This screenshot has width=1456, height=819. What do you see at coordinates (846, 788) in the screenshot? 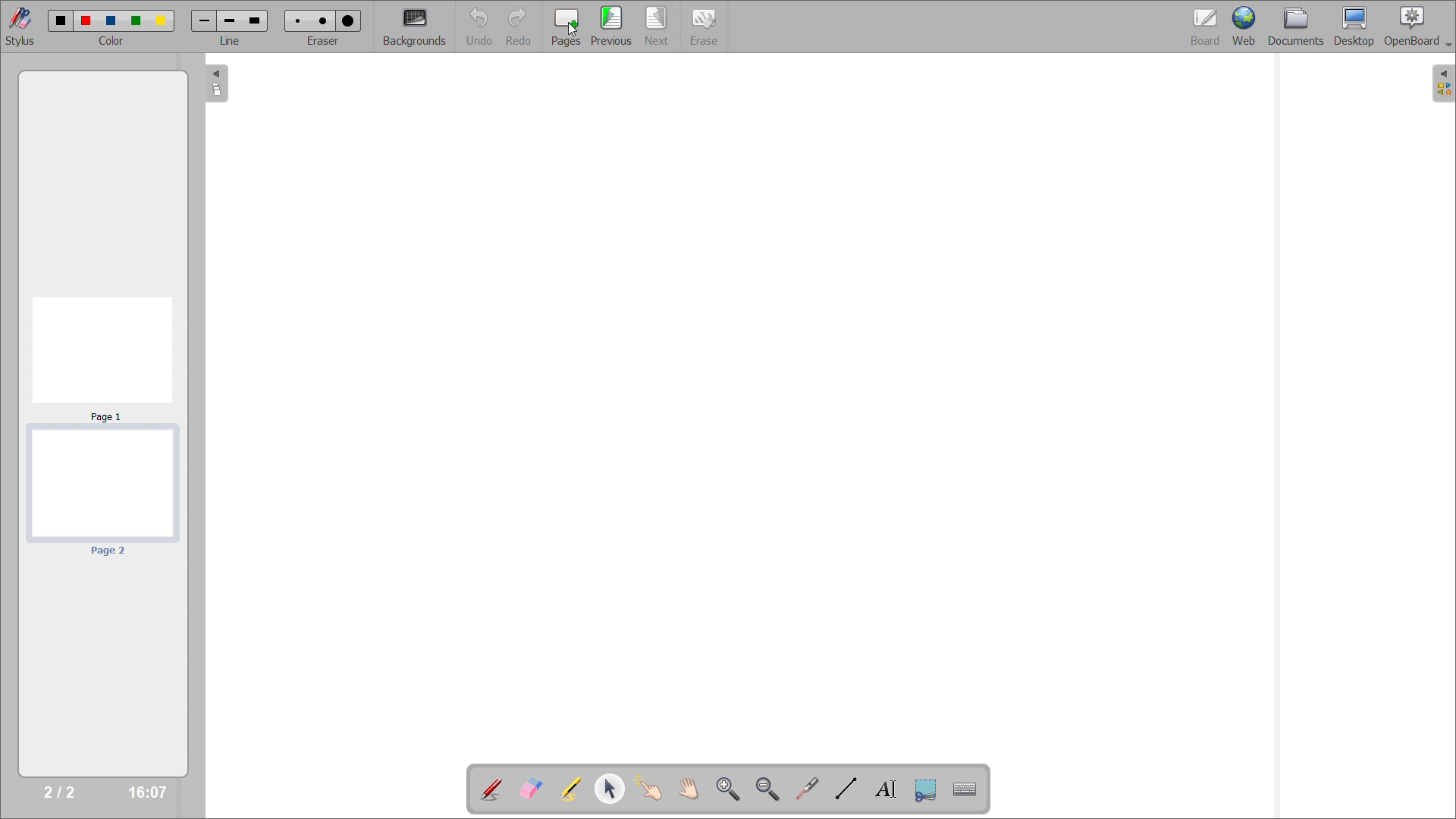
I see `draw line` at bounding box center [846, 788].